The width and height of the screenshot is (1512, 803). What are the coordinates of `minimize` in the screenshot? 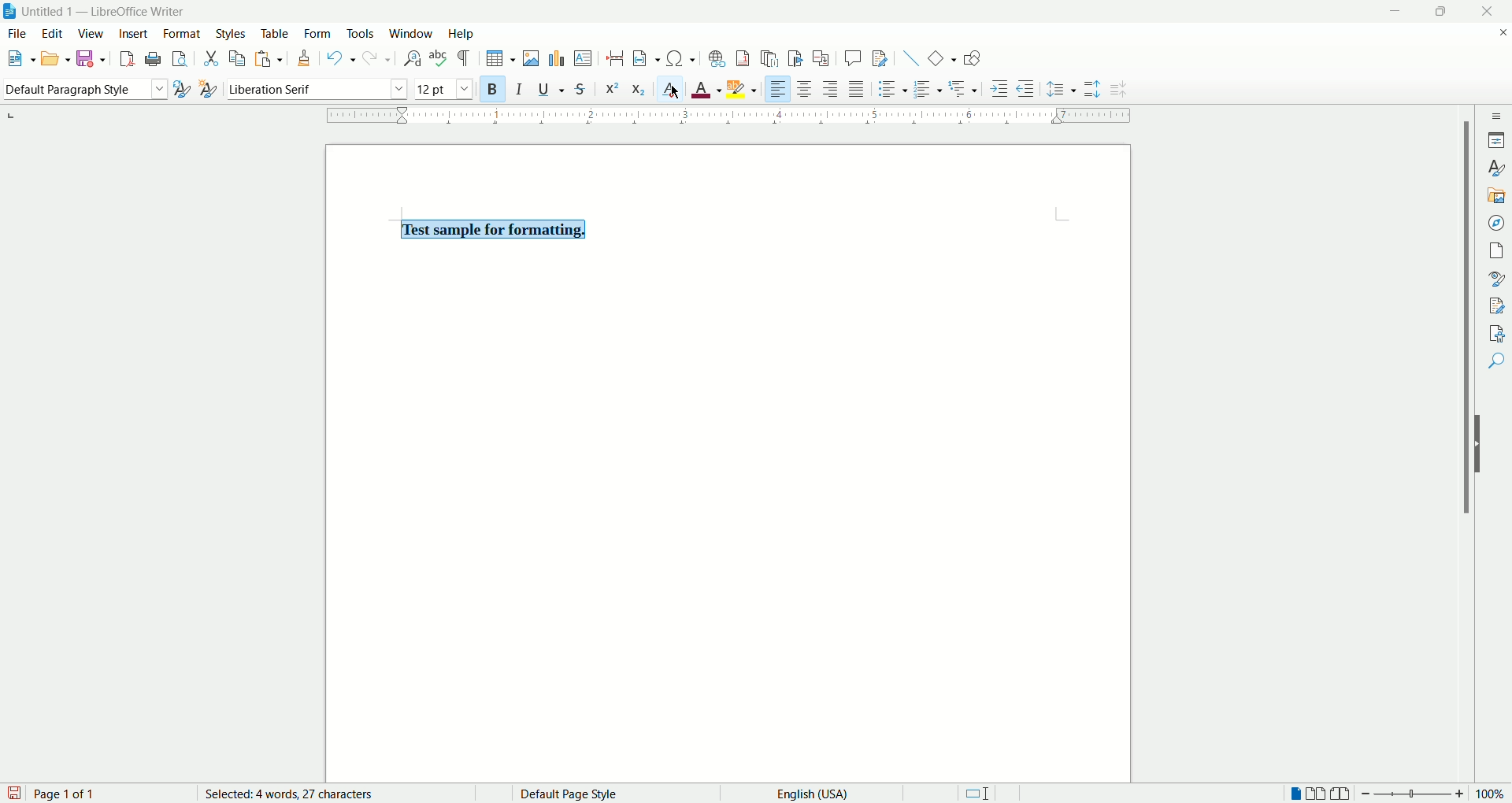 It's located at (1398, 12).